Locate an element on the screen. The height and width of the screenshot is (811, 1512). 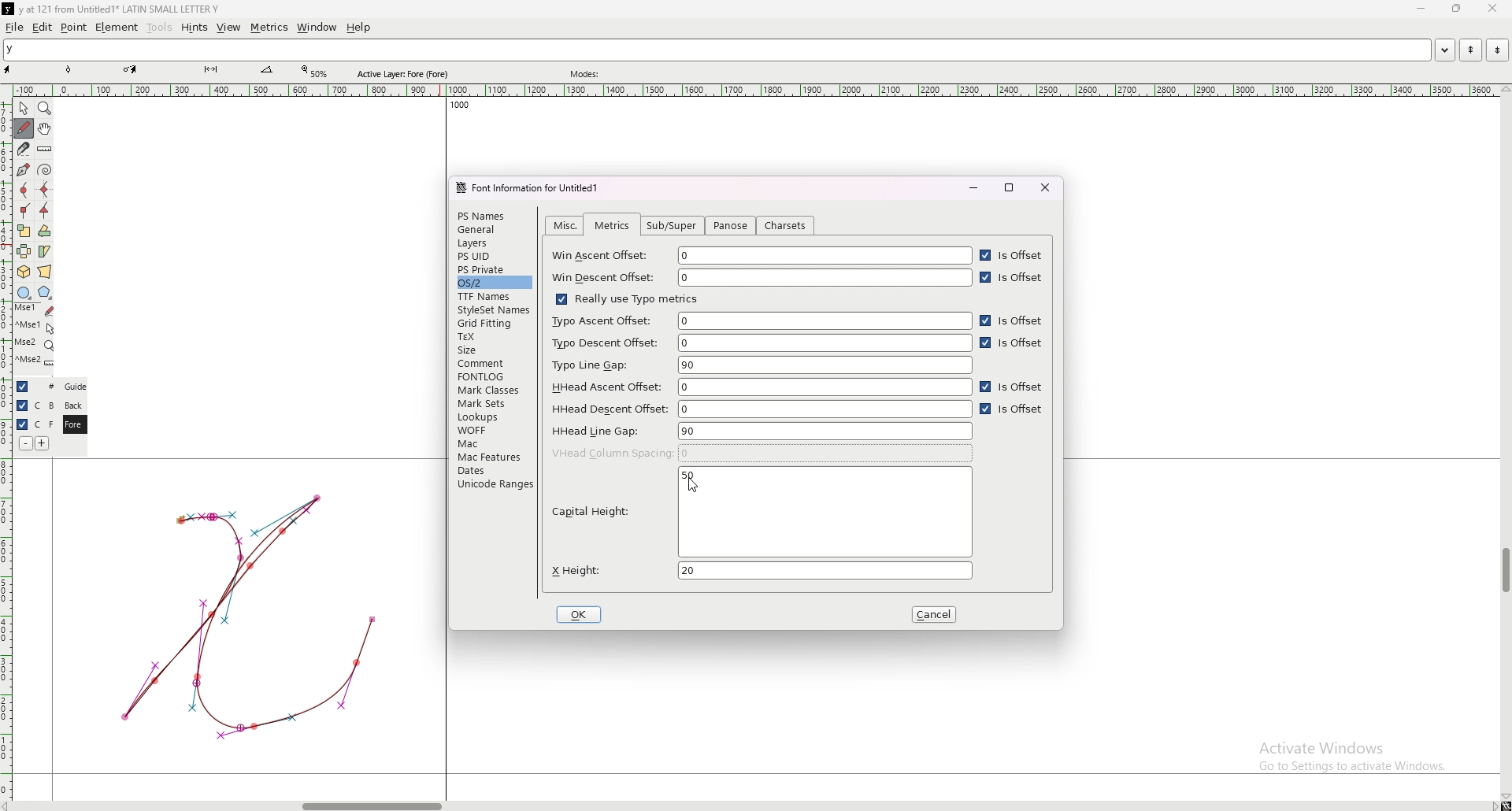
ps uid is located at coordinates (494, 257).